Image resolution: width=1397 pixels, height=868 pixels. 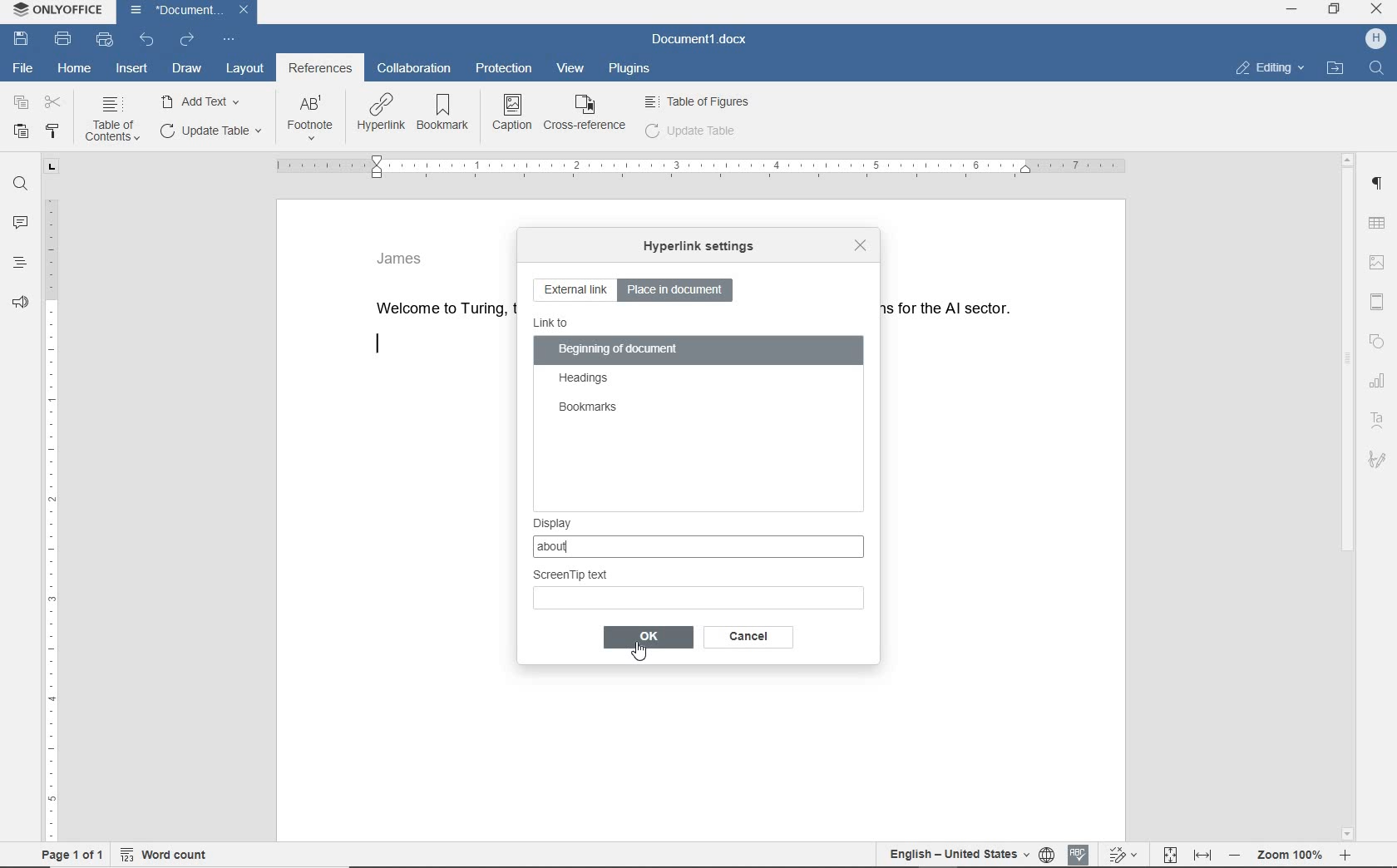 What do you see at coordinates (186, 40) in the screenshot?
I see `redo` at bounding box center [186, 40].